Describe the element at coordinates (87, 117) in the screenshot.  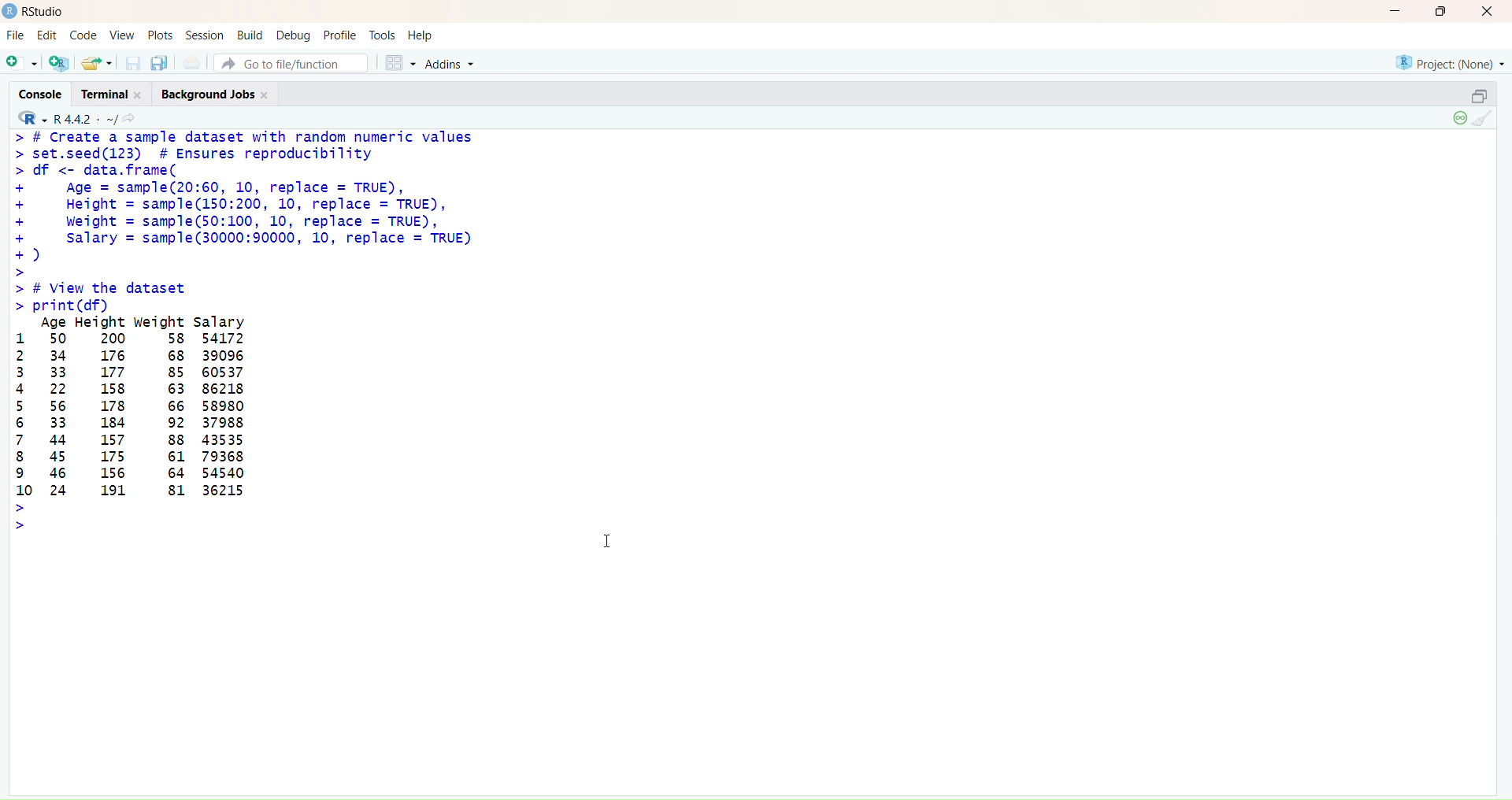
I see `R442/ ~/` at that location.